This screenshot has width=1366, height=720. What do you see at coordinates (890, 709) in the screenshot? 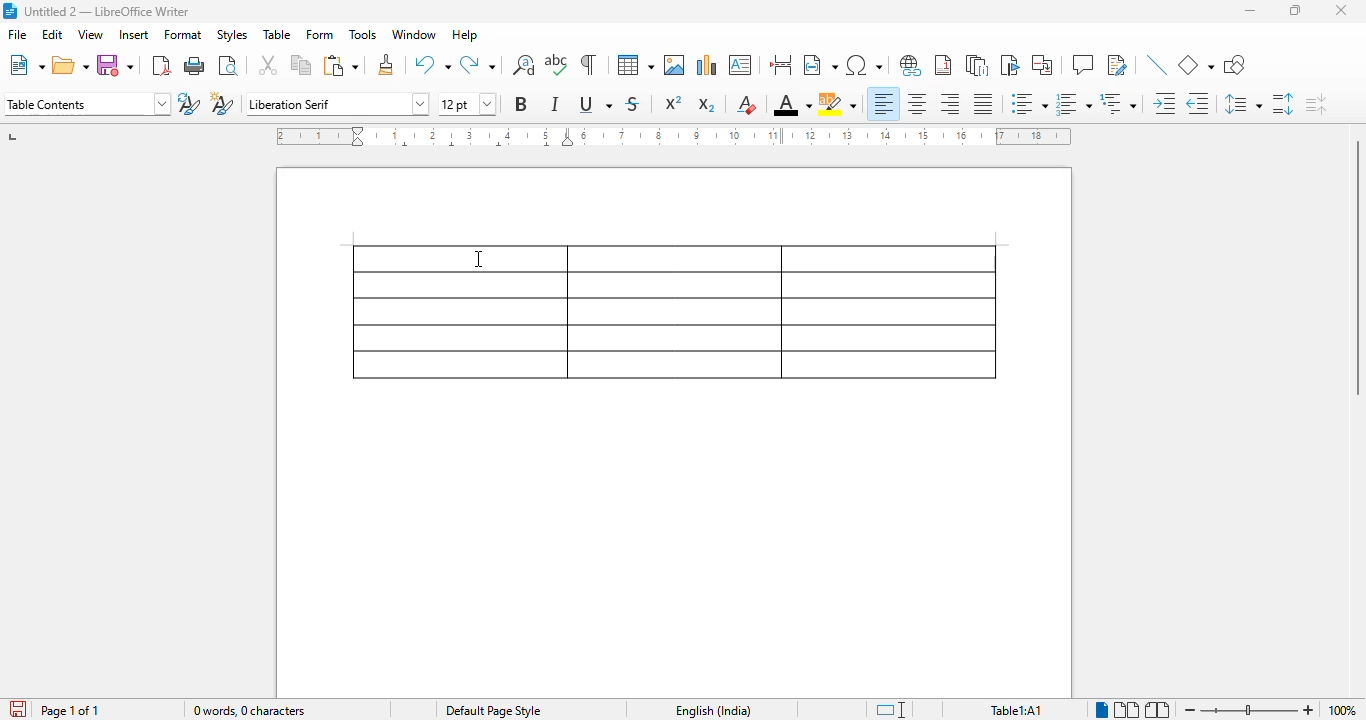
I see `standard selection` at bounding box center [890, 709].